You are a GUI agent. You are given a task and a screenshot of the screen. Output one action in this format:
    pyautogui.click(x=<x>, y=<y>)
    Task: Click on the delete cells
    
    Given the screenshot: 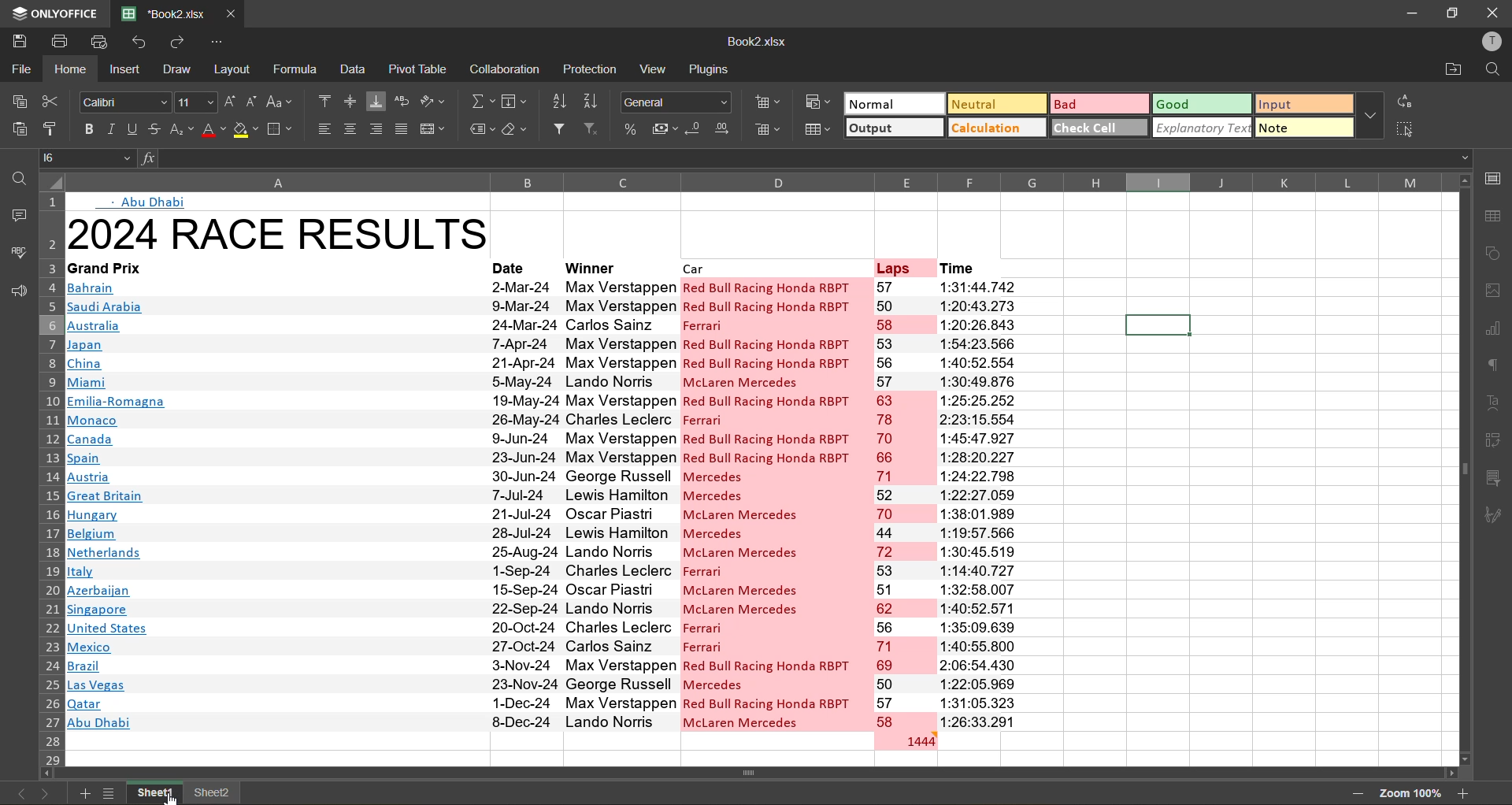 What is the action you would take?
    pyautogui.click(x=768, y=130)
    